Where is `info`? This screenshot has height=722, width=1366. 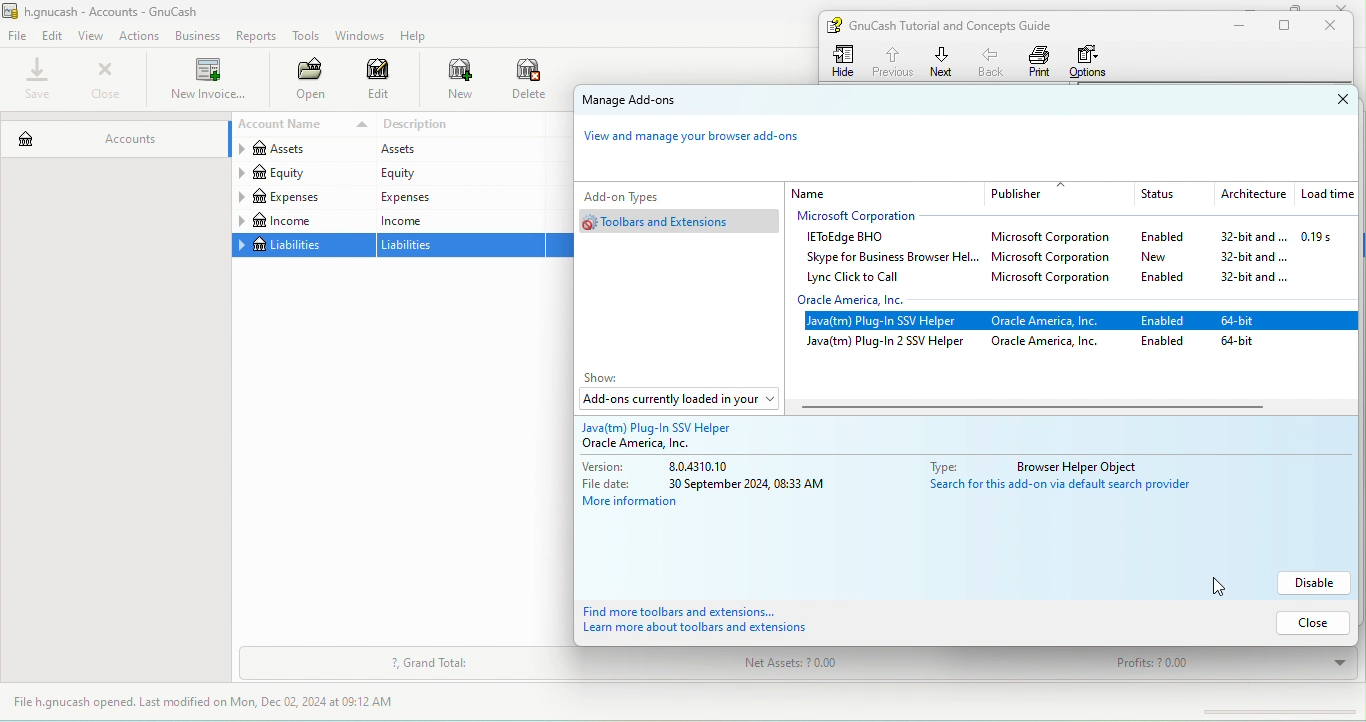
info is located at coordinates (1091, 464).